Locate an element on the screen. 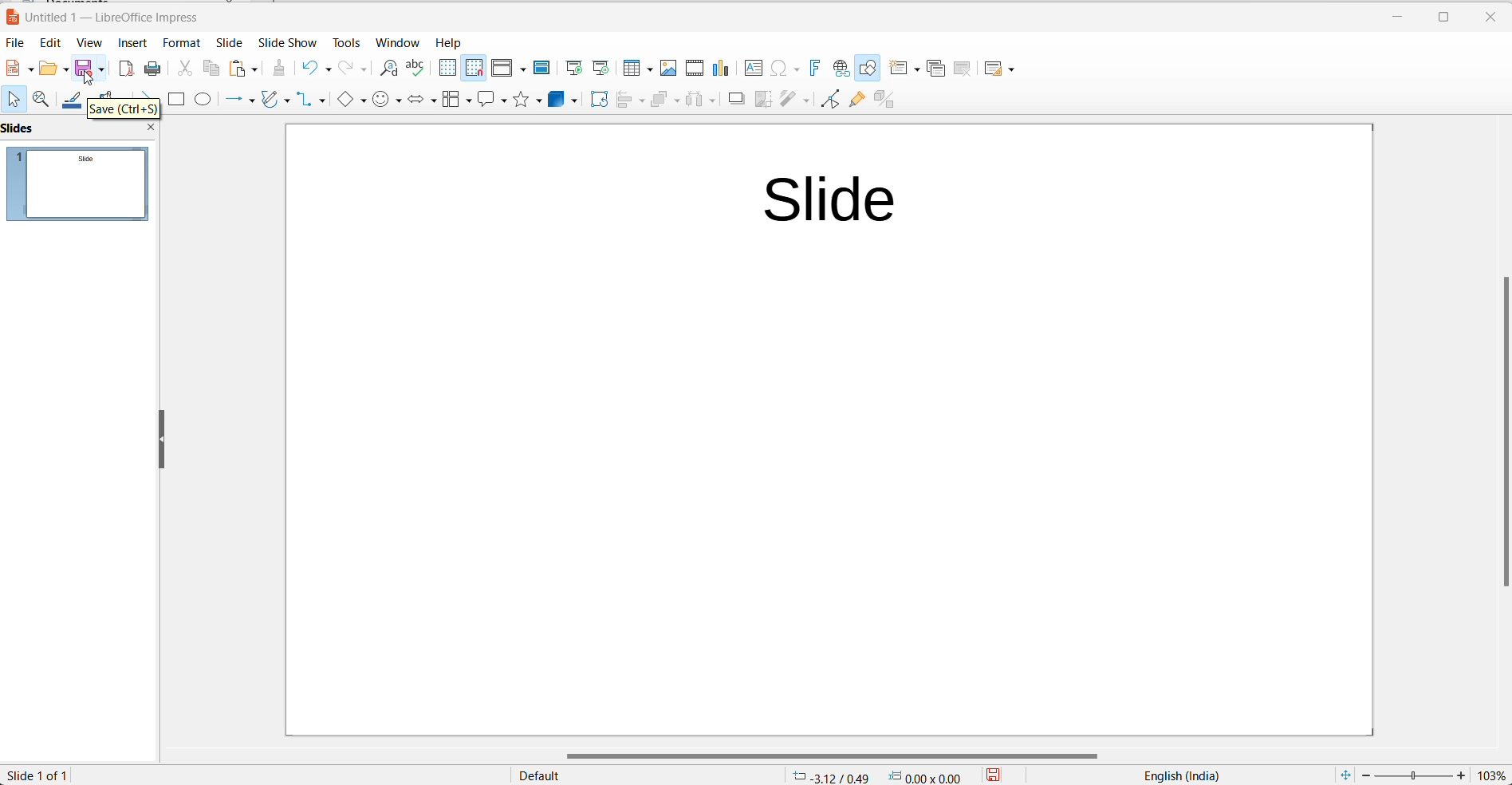  new file options is located at coordinates (18, 68).